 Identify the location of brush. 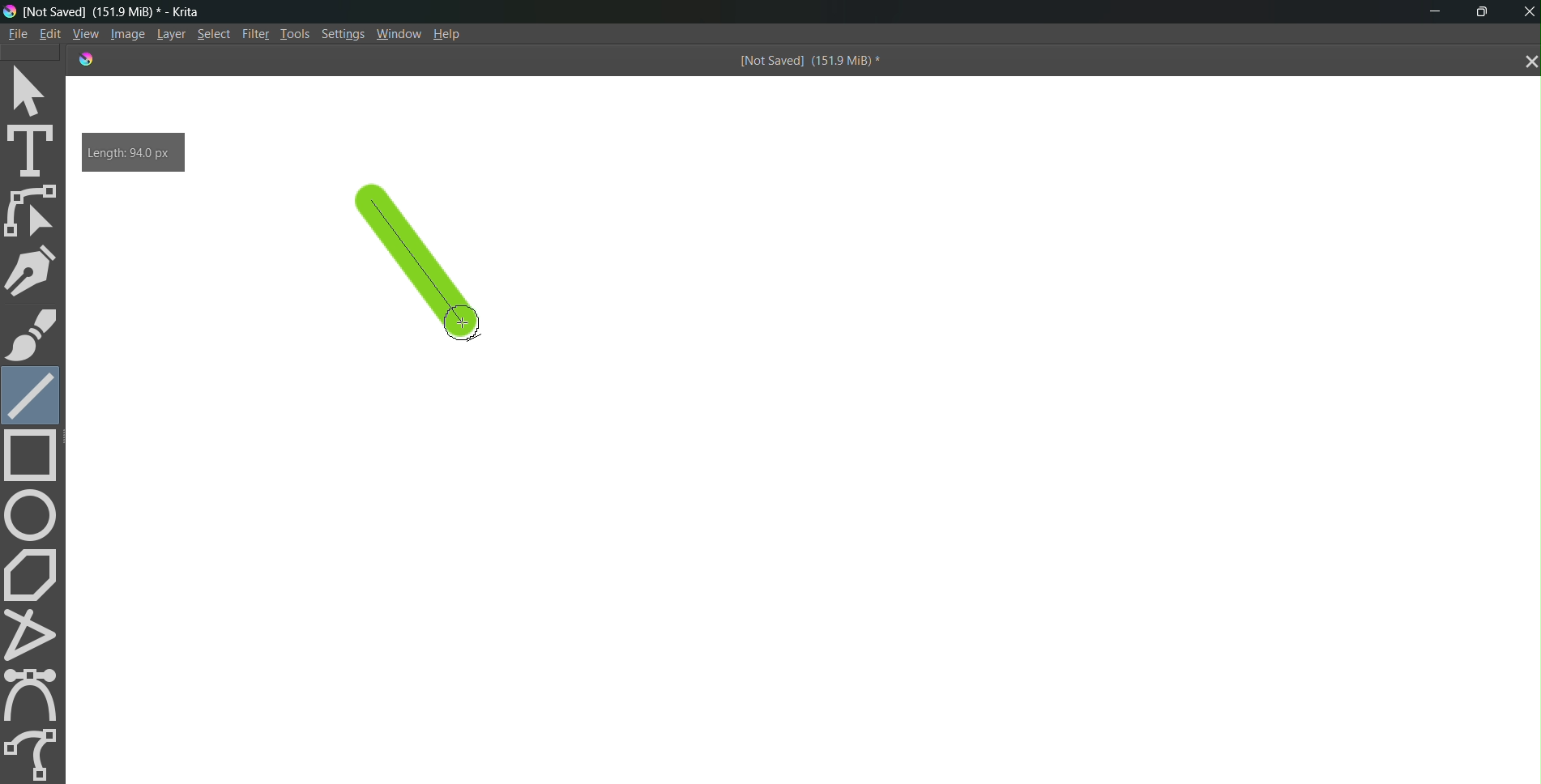
(32, 334).